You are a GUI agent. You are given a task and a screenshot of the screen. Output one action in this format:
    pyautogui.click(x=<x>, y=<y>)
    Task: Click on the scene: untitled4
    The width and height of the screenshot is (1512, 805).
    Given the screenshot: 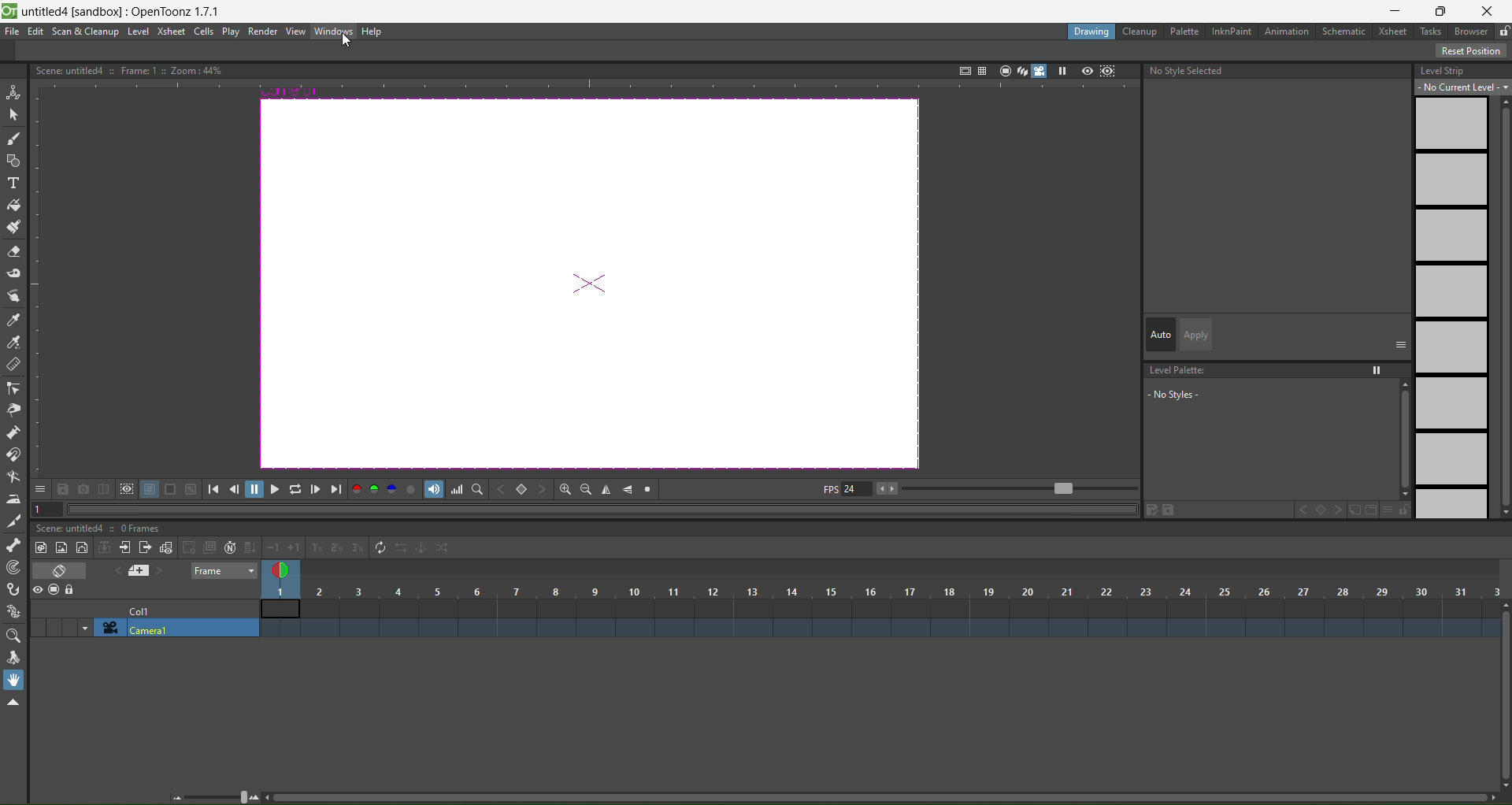 What is the action you would take?
    pyautogui.click(x=74, y=528)
    